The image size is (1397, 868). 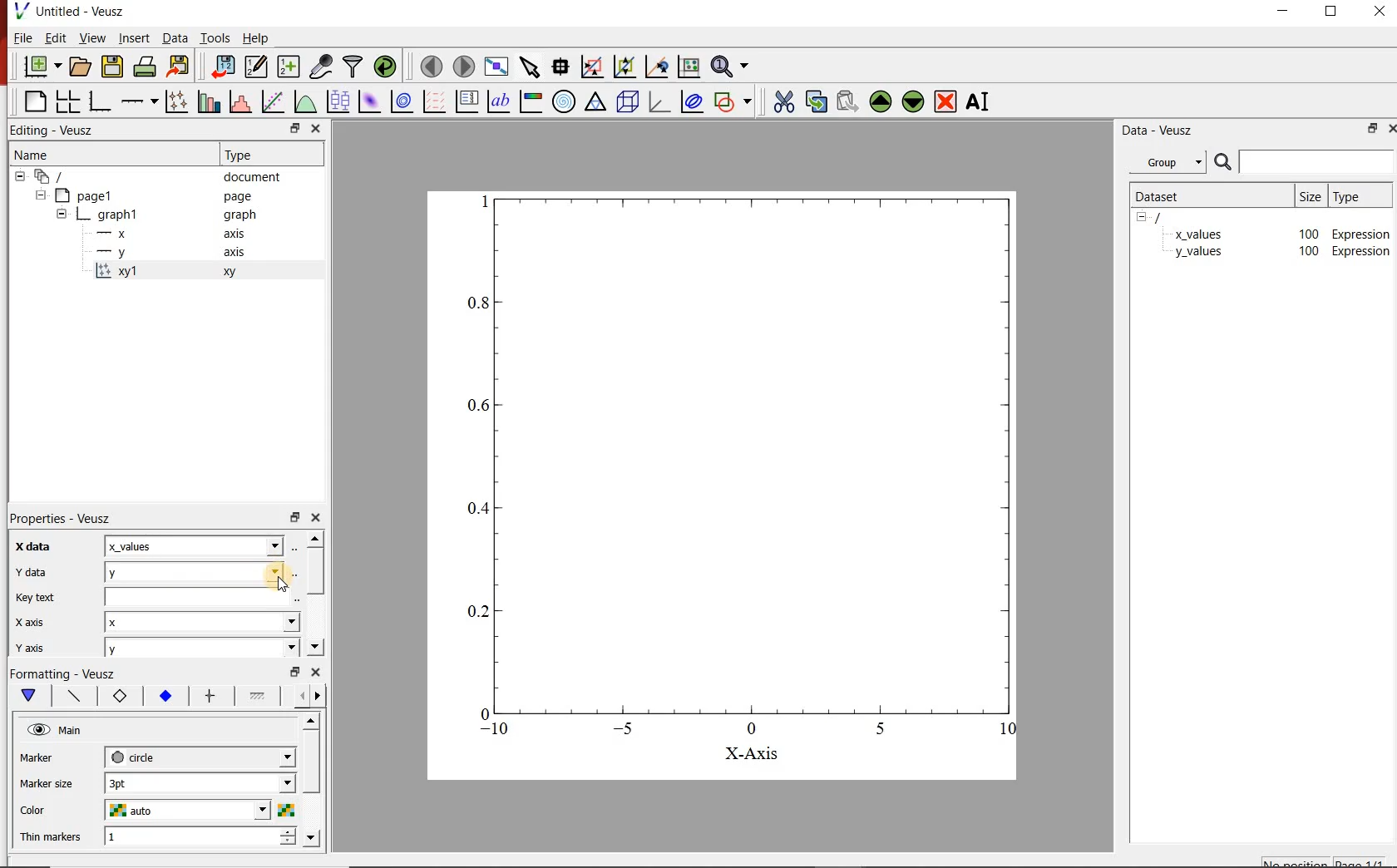 What do you see at coordinates (431, 67) in the screenshot?
I see `move to previous page` at bounding box center [431, 67].